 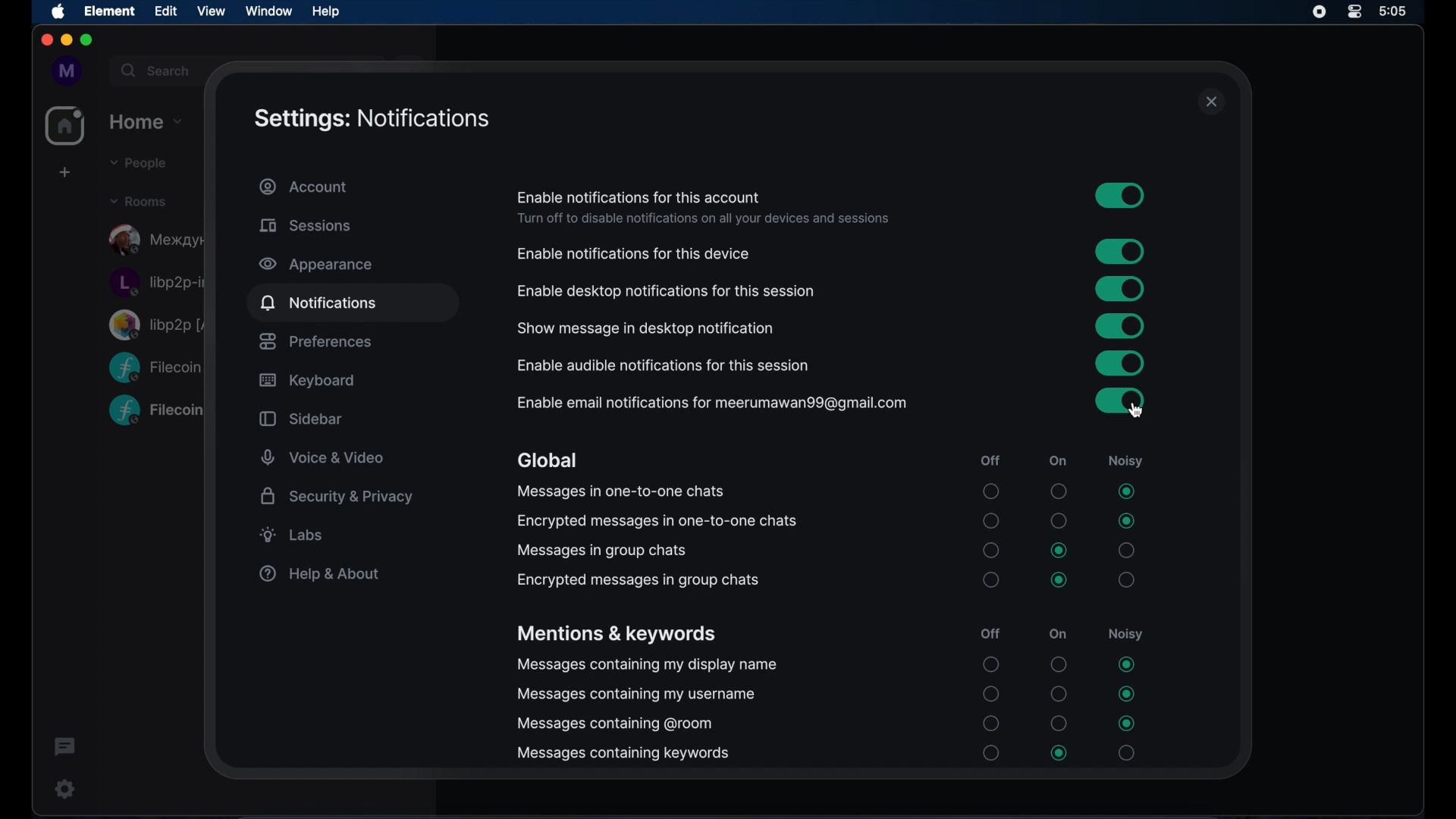 I want to click on control center, so click(x=1355, y=12).